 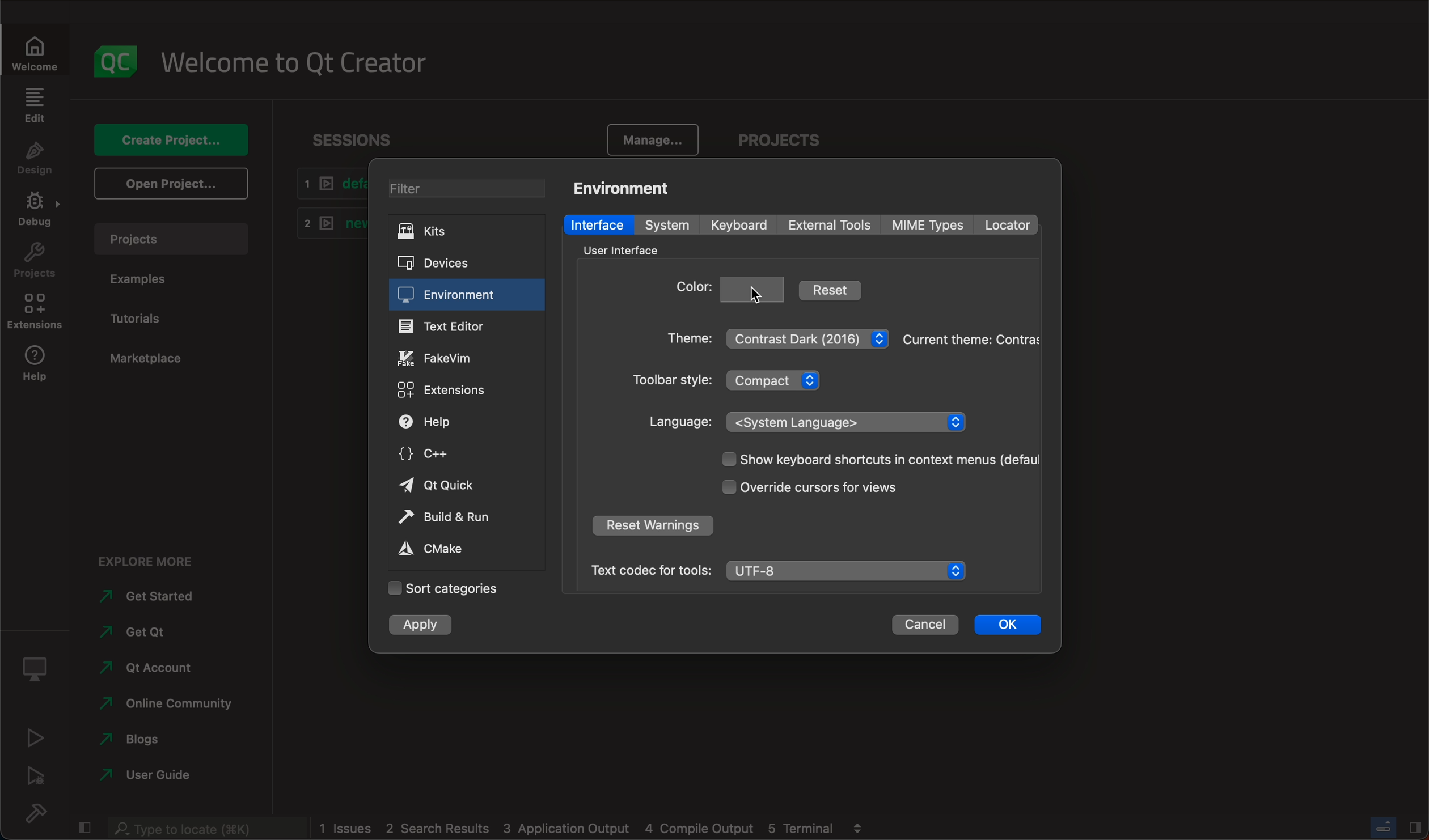 I want to click on view output, so click(x=861, y=824).